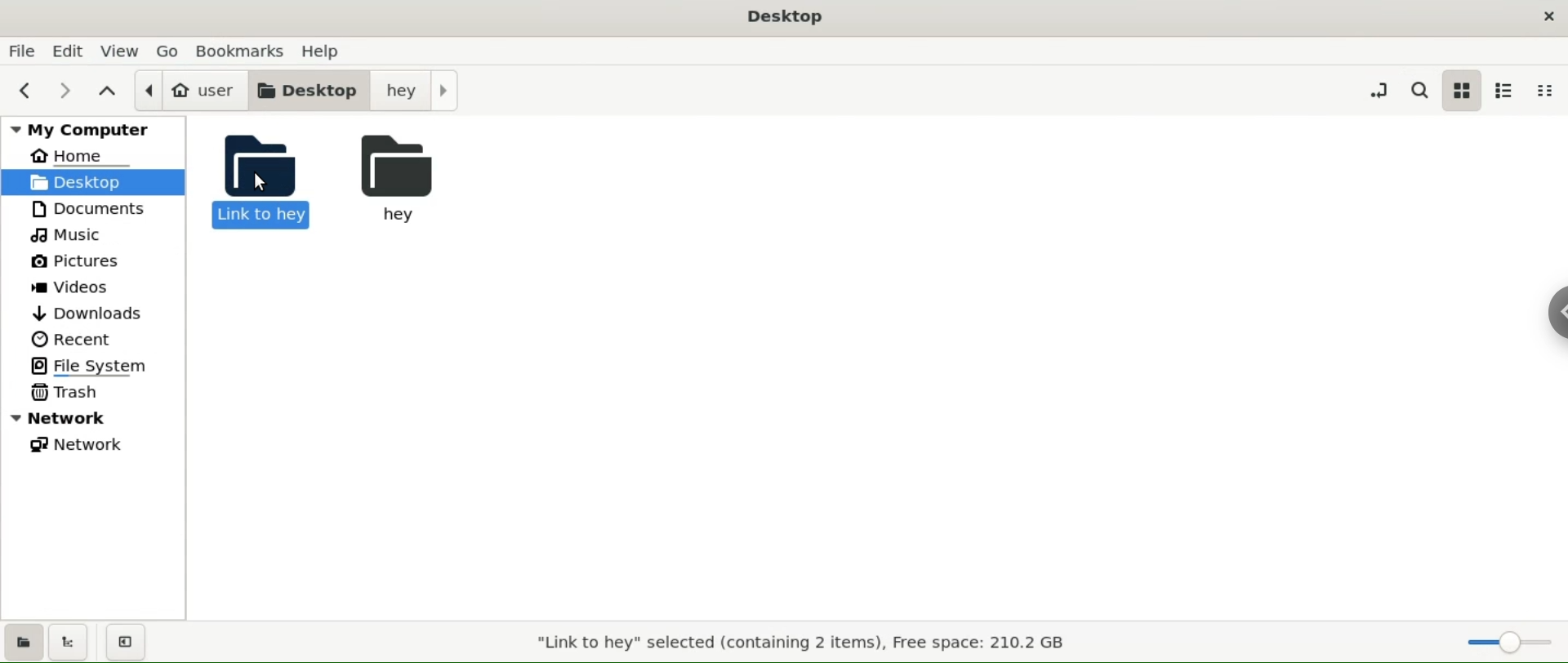  Describe the element at coordinates (1506, 90) in the screenshot. I see `list view` at that location.